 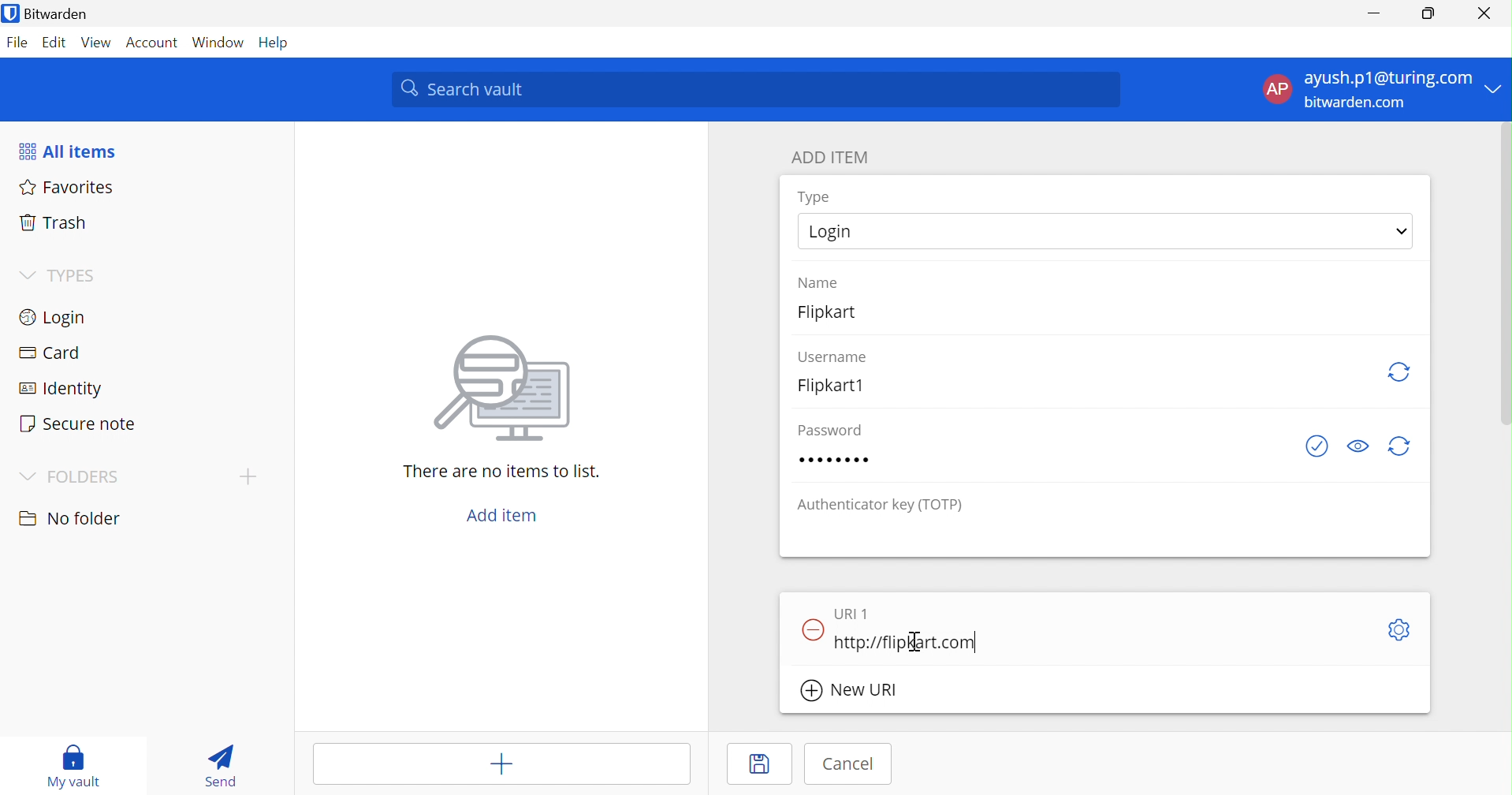 I want to click on Login, so click(x=56, y=319).